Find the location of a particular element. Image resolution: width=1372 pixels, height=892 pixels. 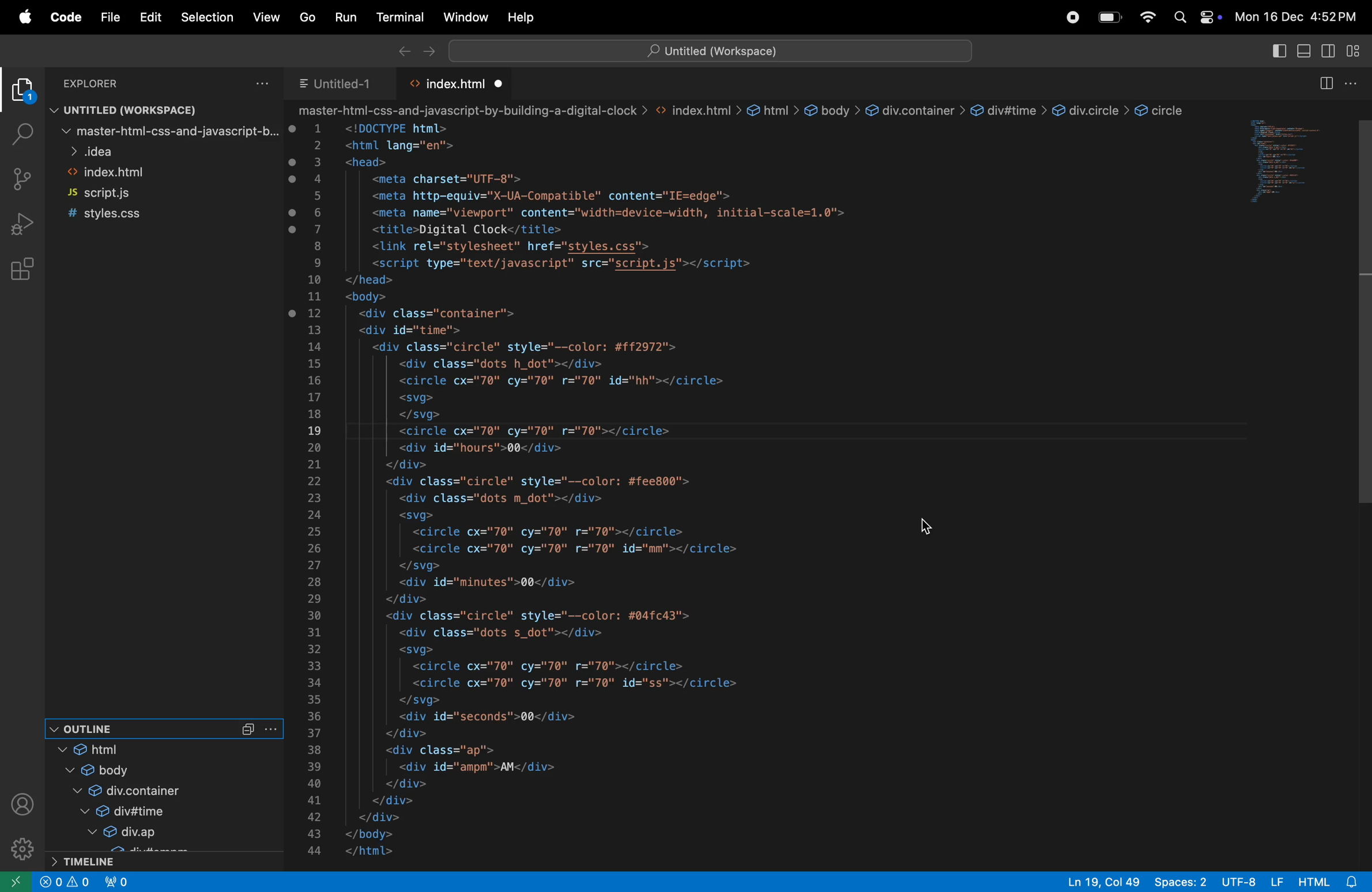

explorer is located at coordinates (19, 91).